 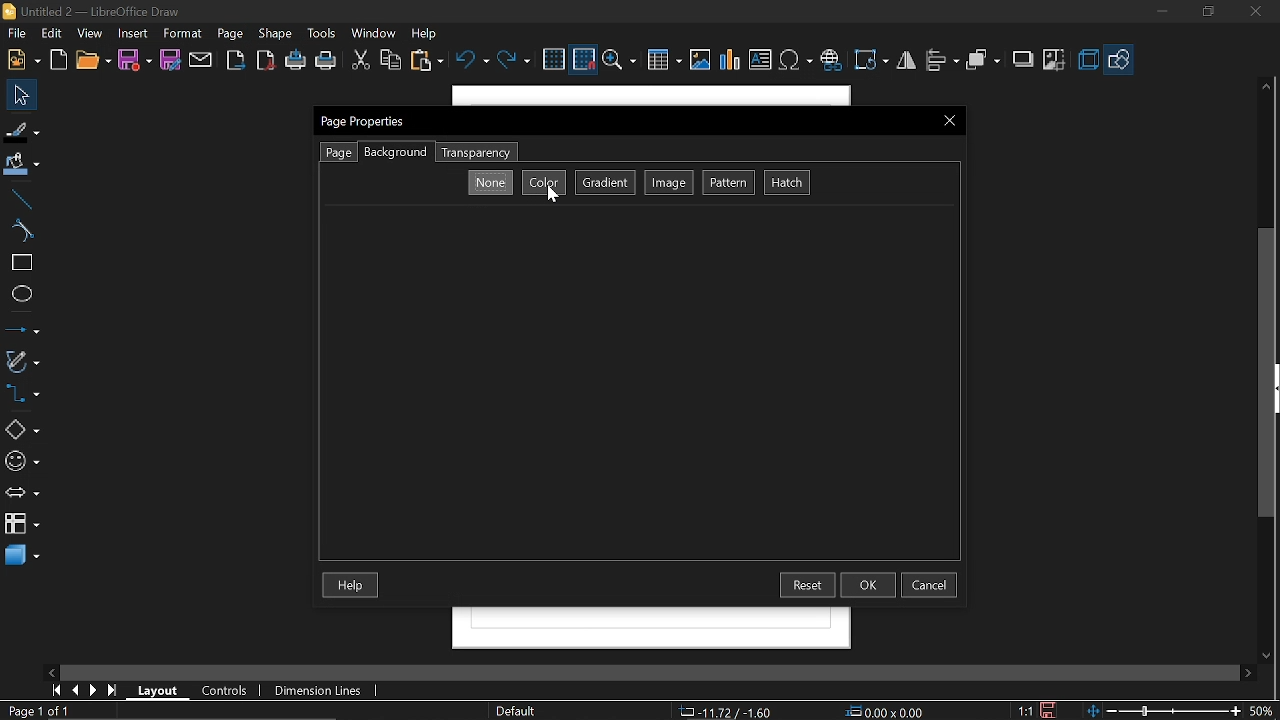 I want to click on Help, so click(x=349, y=585).